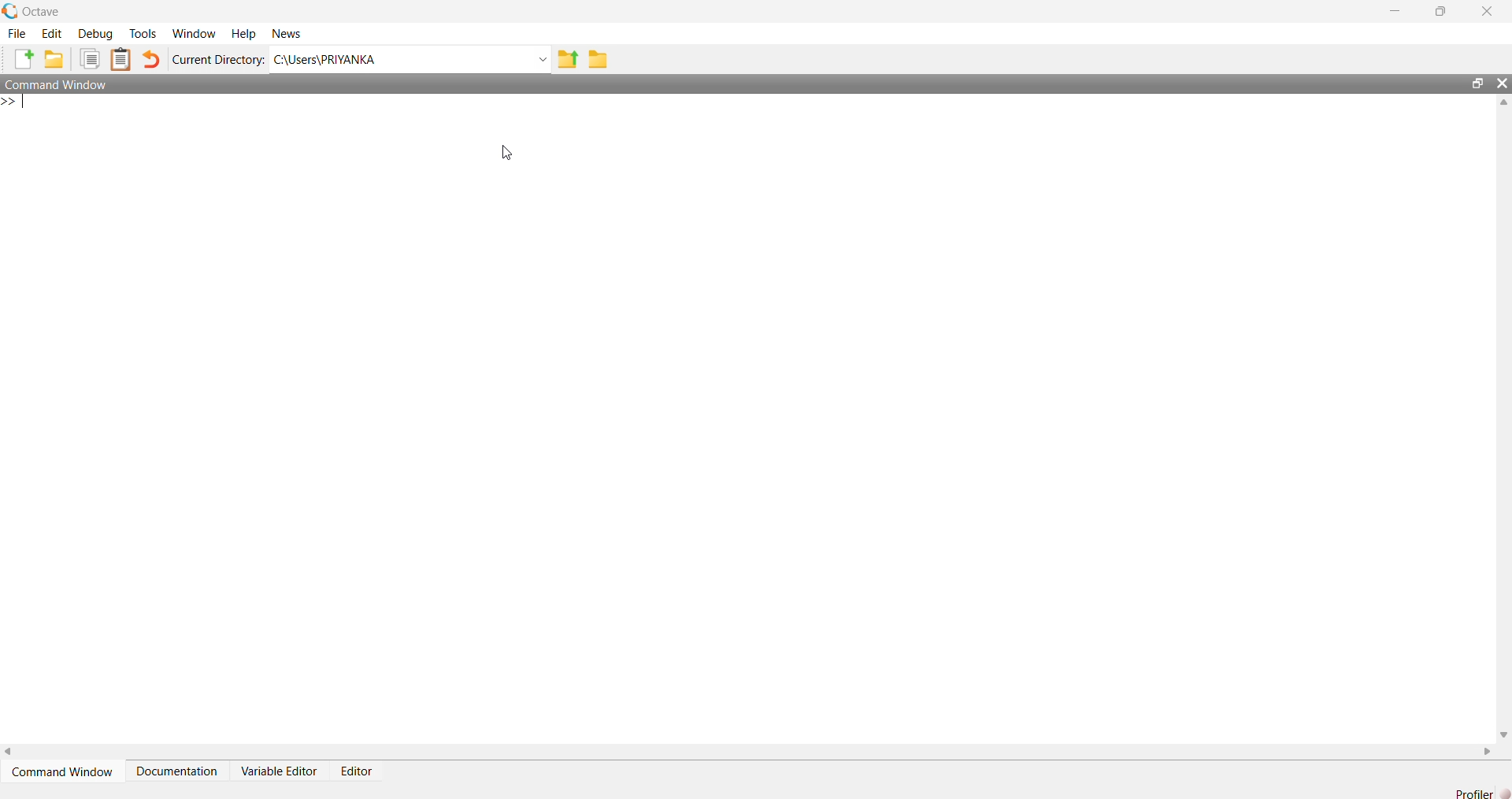 The image size is (1512, 799). What do you see at coordinates (291, 32) in the screenshot?
I see `News` at bounding box center [291, 32].